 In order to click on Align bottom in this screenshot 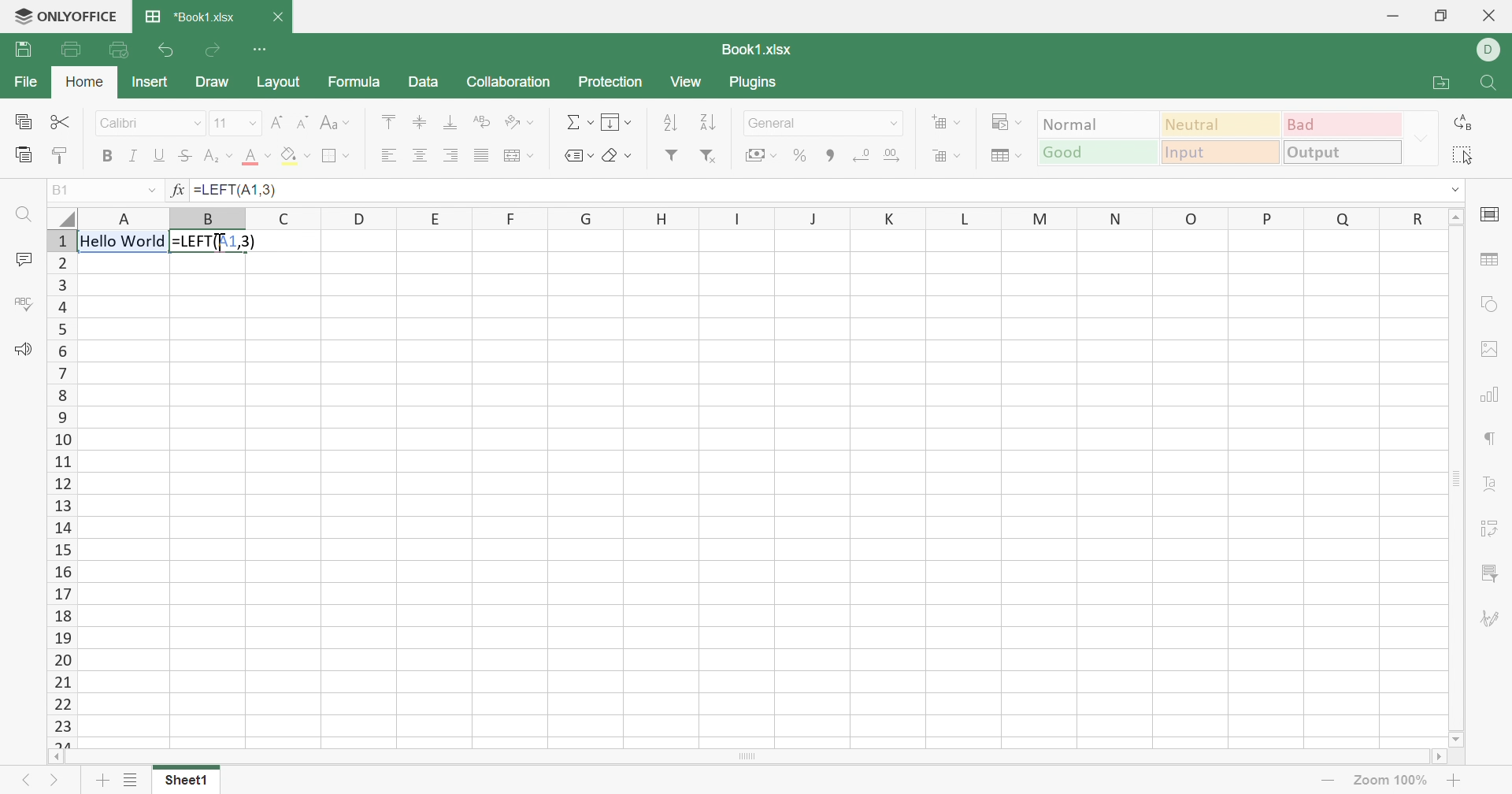, I will do `click(451, 121)`.